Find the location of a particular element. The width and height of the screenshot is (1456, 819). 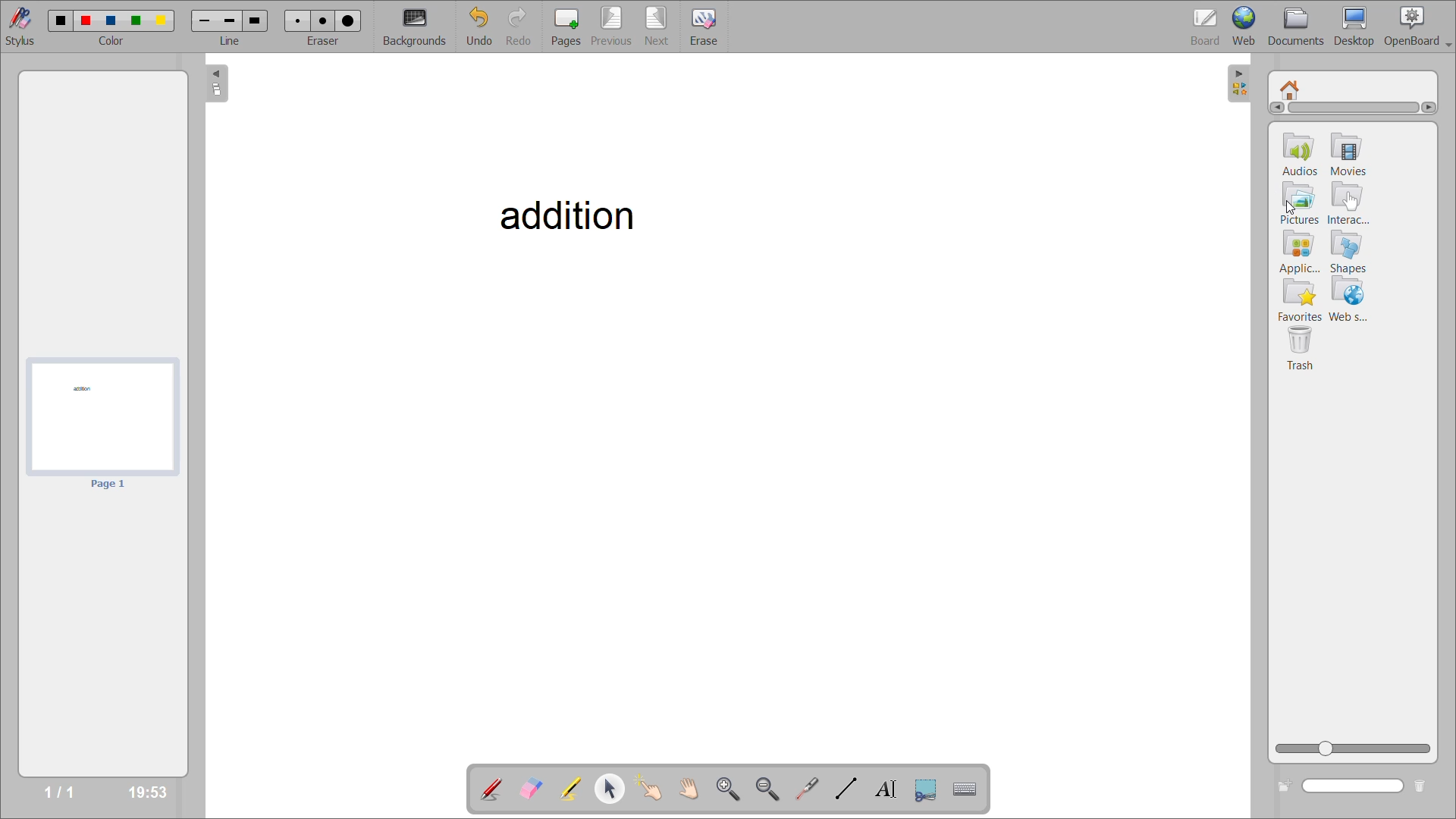

zoom out is located at coordinates (767, 786).